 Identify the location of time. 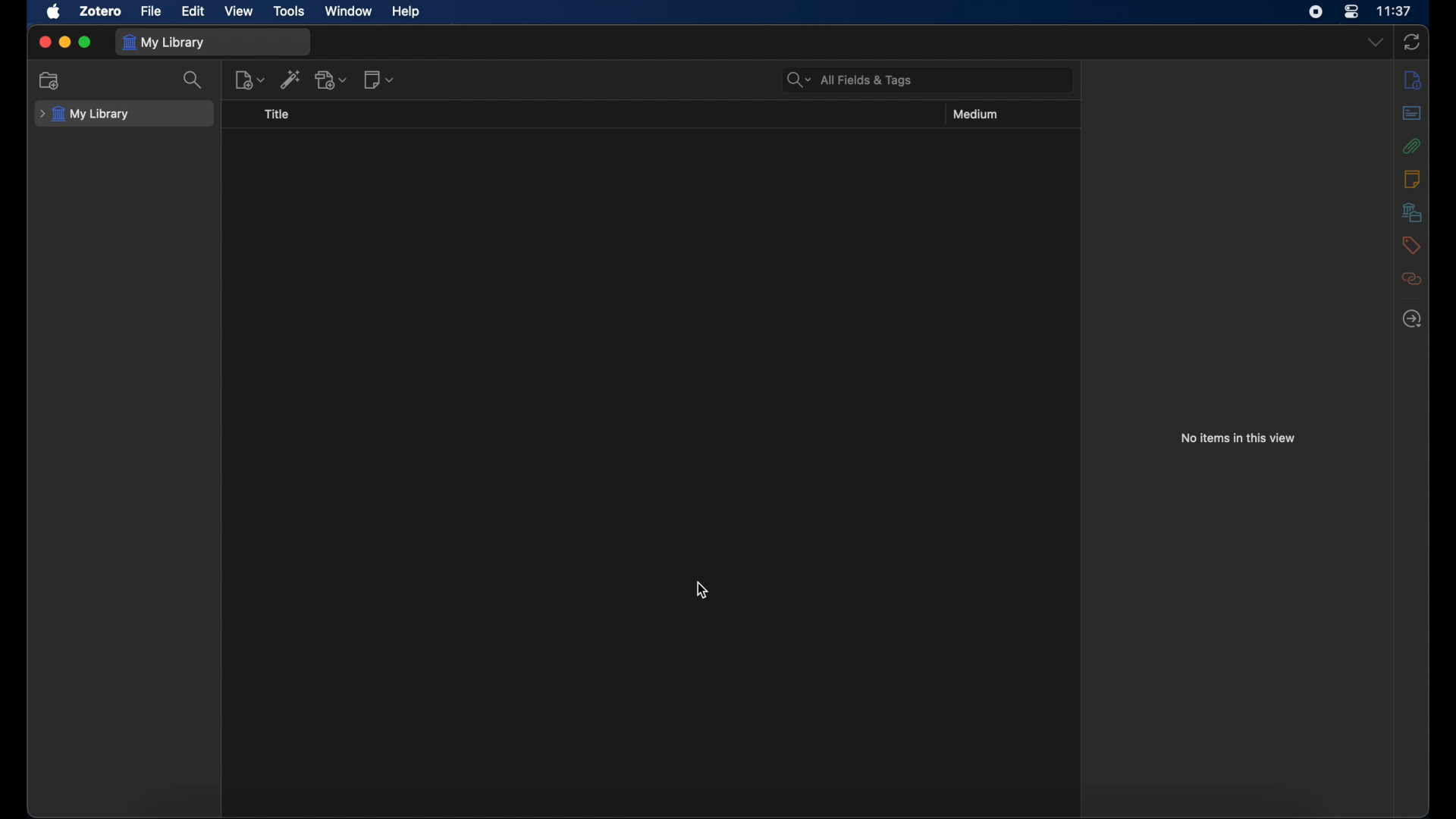
(1396, 11).